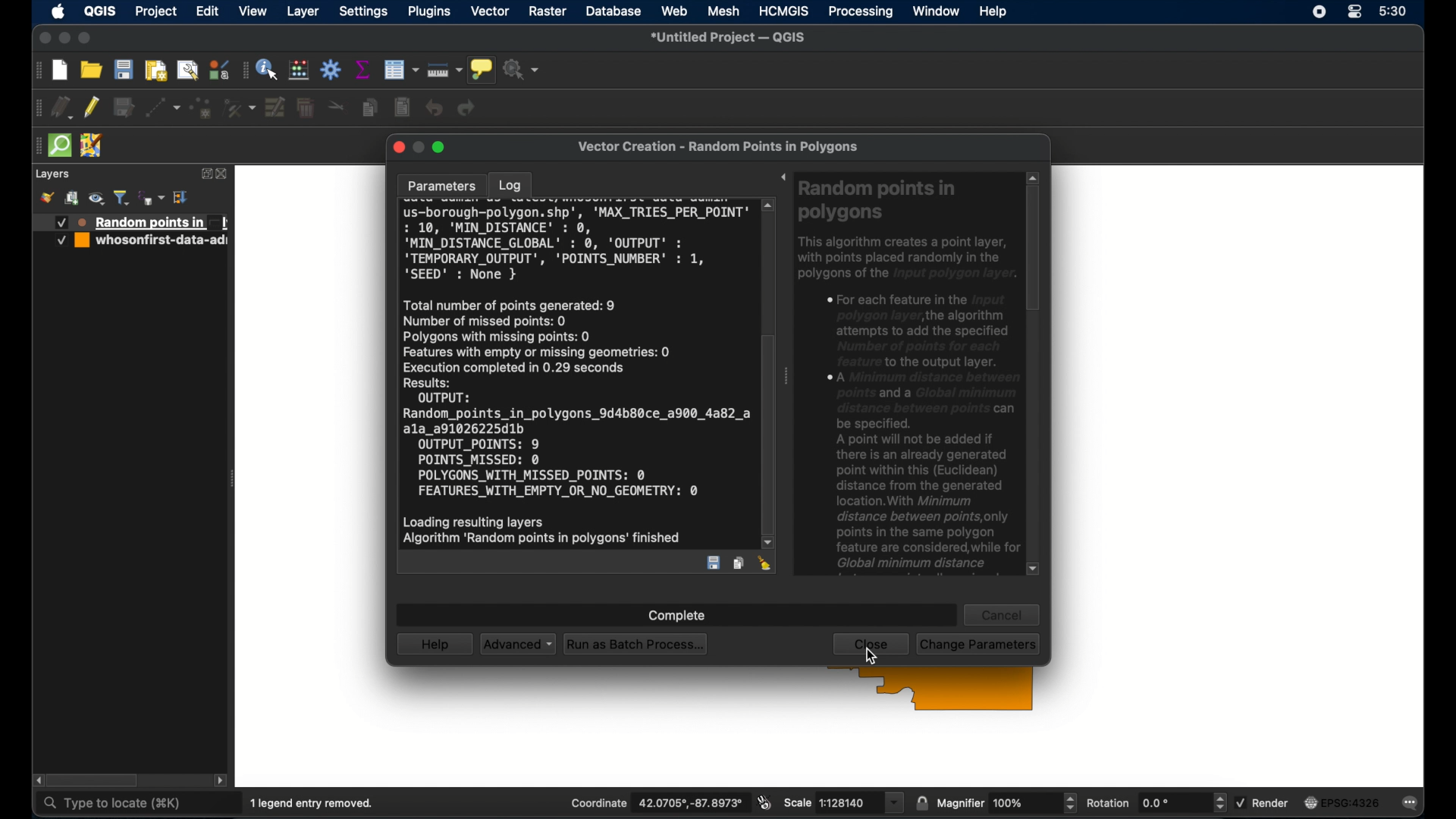 The image size is (1456, 819). Describe the element at coordinates (98, 199) in the screenshot. I see `manage map theme` at that location.